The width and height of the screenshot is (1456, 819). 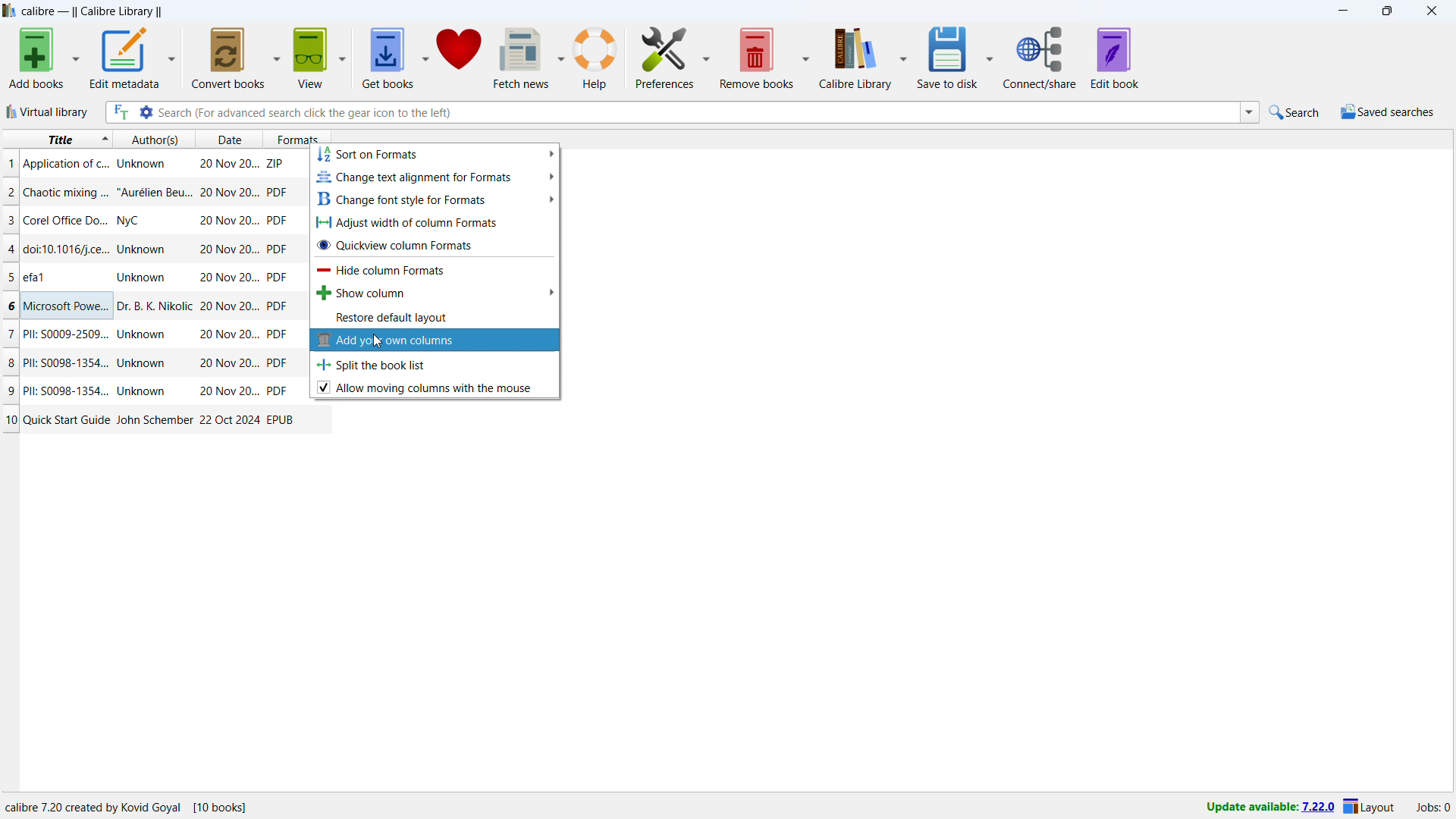 What do you see at coordinates (595, 57) in the screenshot?
I see `help` at bounding box center [595, 57].